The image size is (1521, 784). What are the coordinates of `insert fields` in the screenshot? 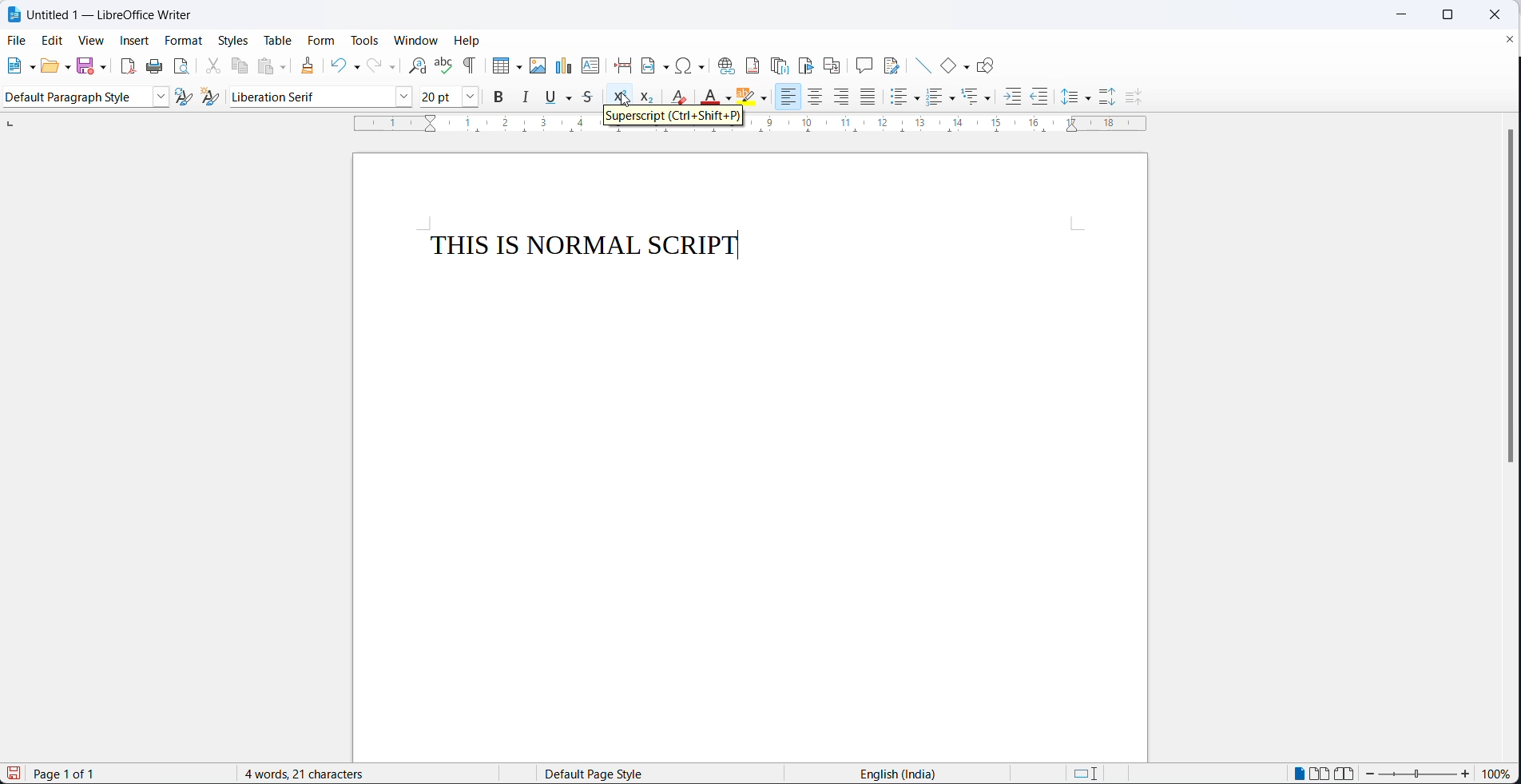 It's located at (654, 63).